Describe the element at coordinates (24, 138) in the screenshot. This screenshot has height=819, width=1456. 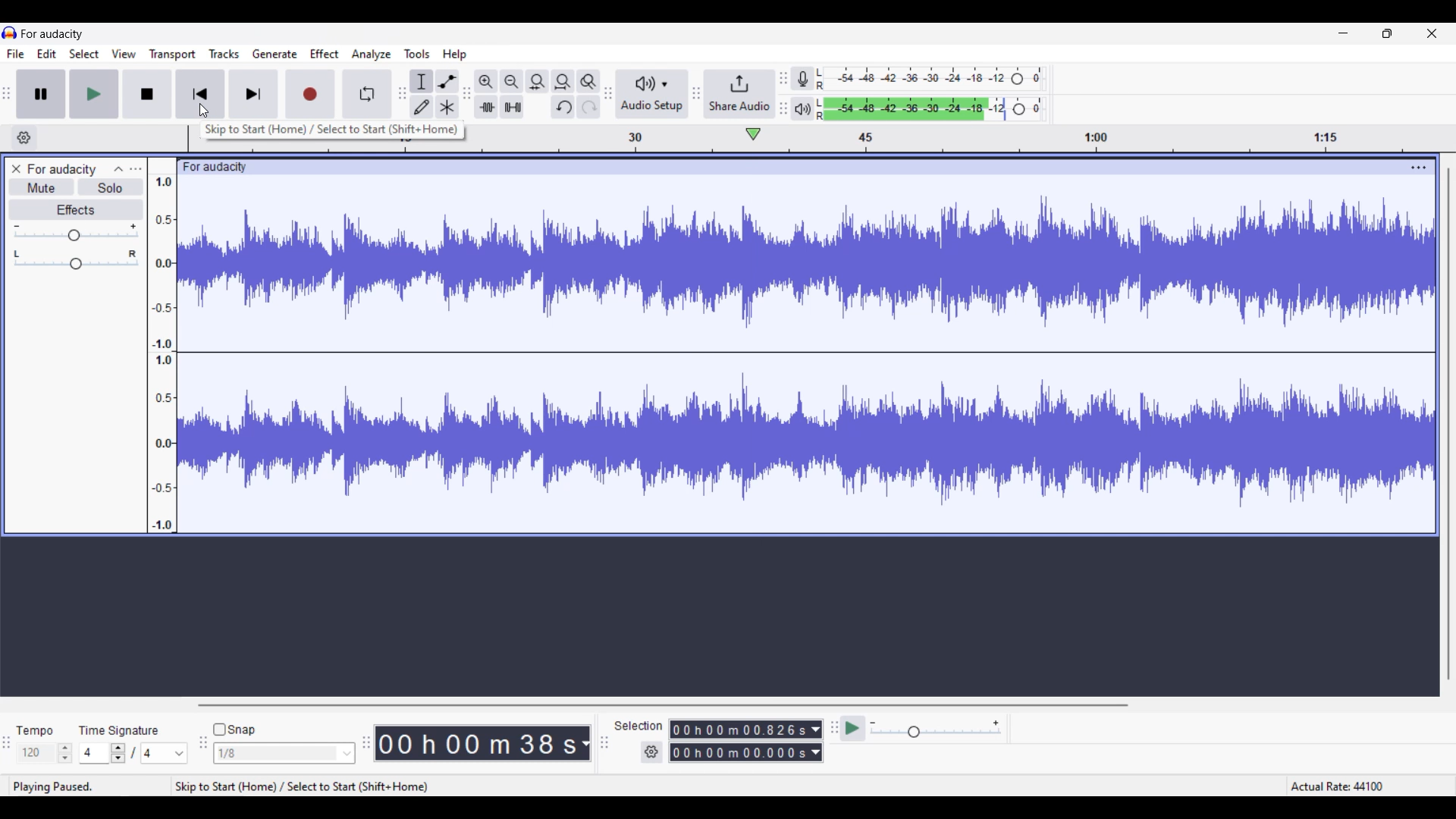
I see `Timeline settings` at that location.